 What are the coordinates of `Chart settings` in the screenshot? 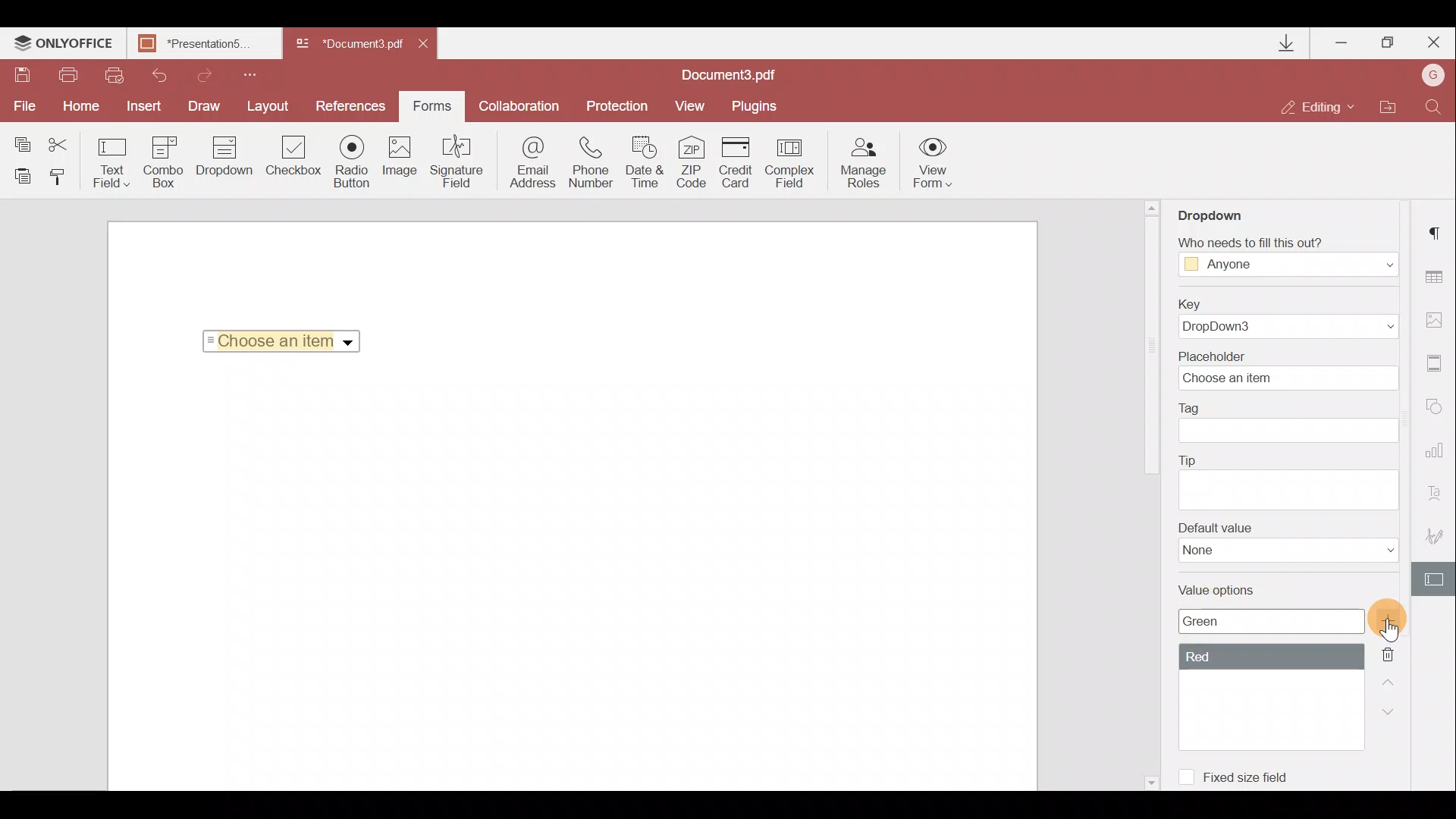 It's located at (1438, 450).